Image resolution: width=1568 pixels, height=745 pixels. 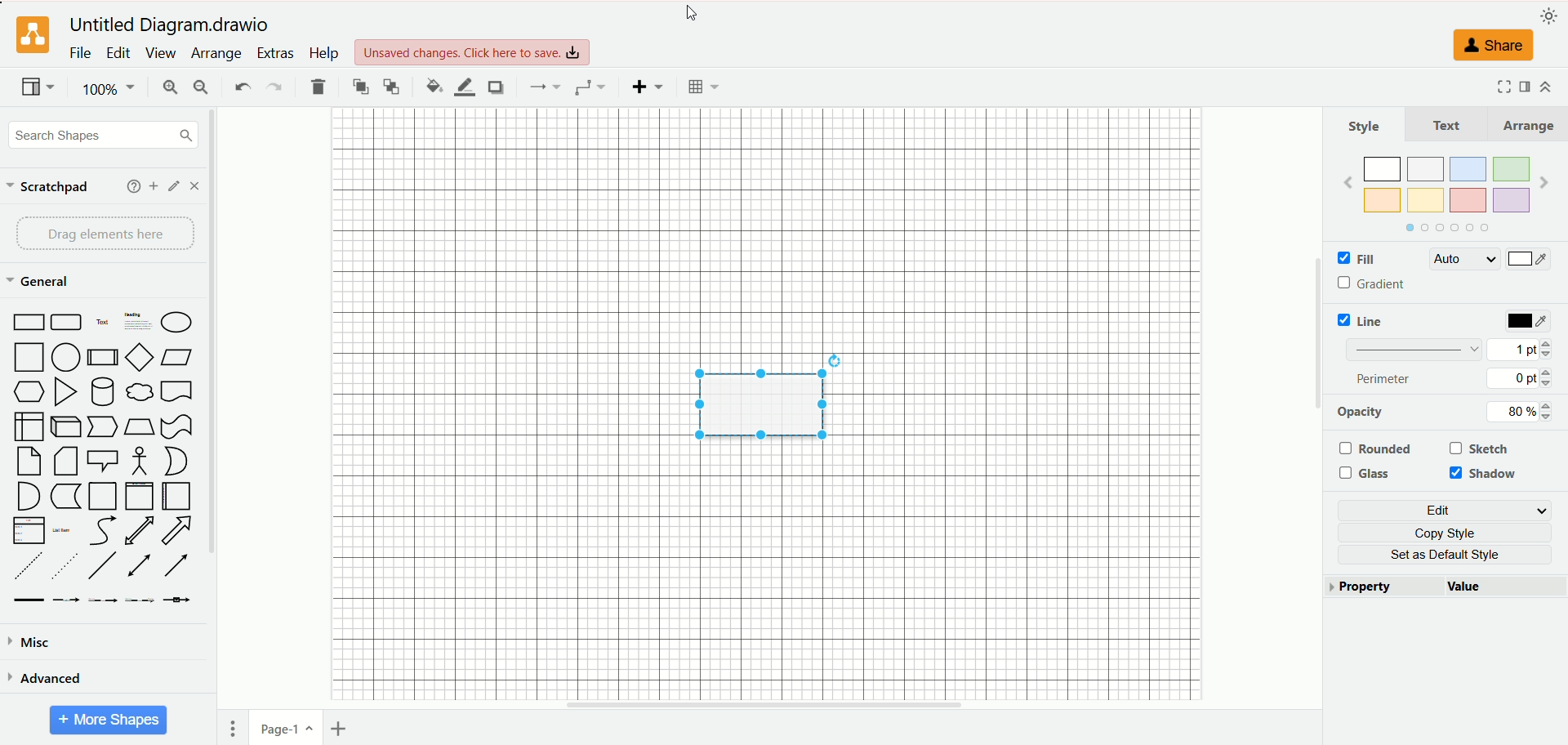 What do you see at coordinates (1452, 533) in the screenshot?
I see `copy style` at bounding box center [1452, 533].